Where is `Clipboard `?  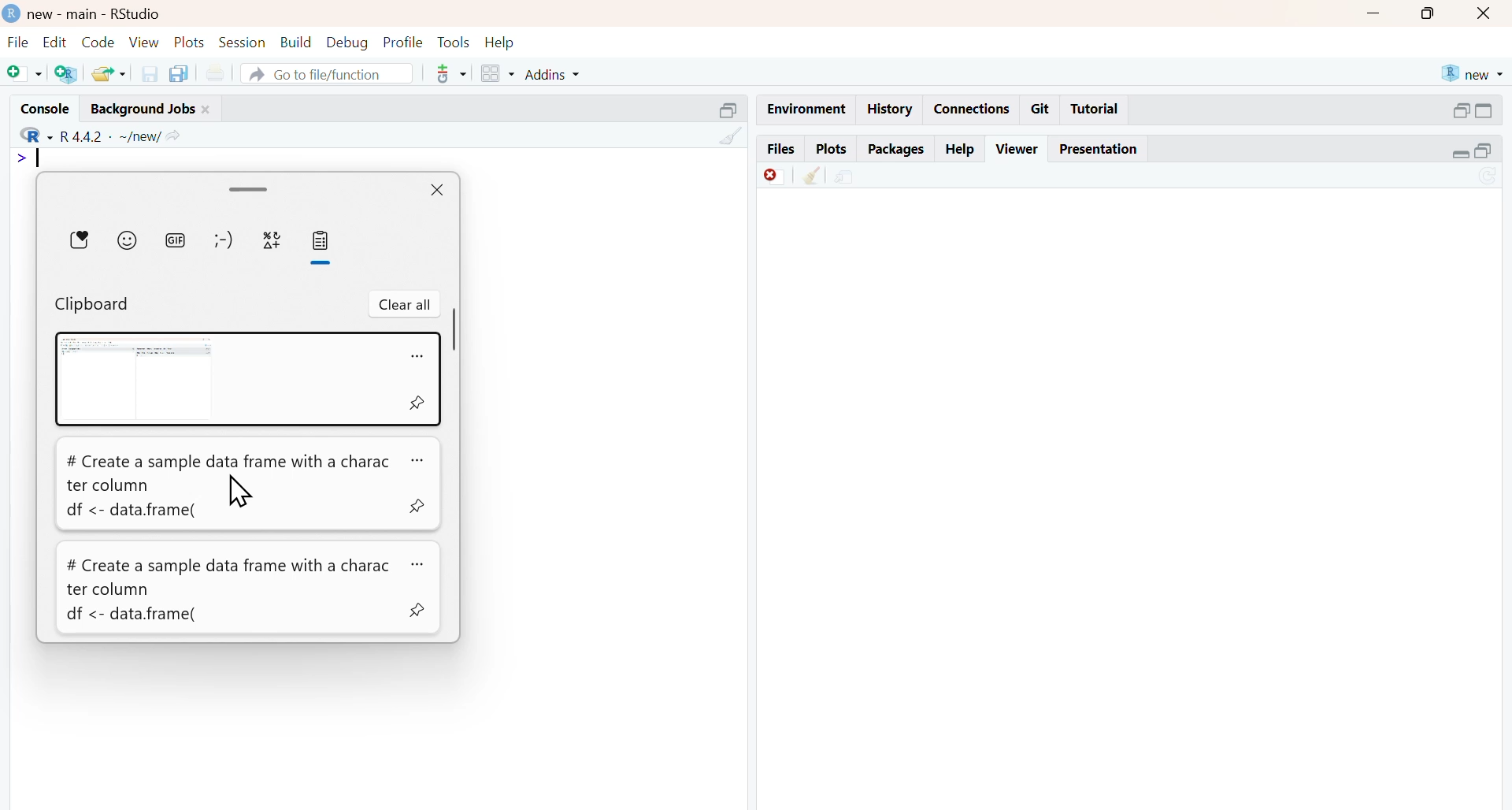 Clipboard  is located at coordinates (321, 247).